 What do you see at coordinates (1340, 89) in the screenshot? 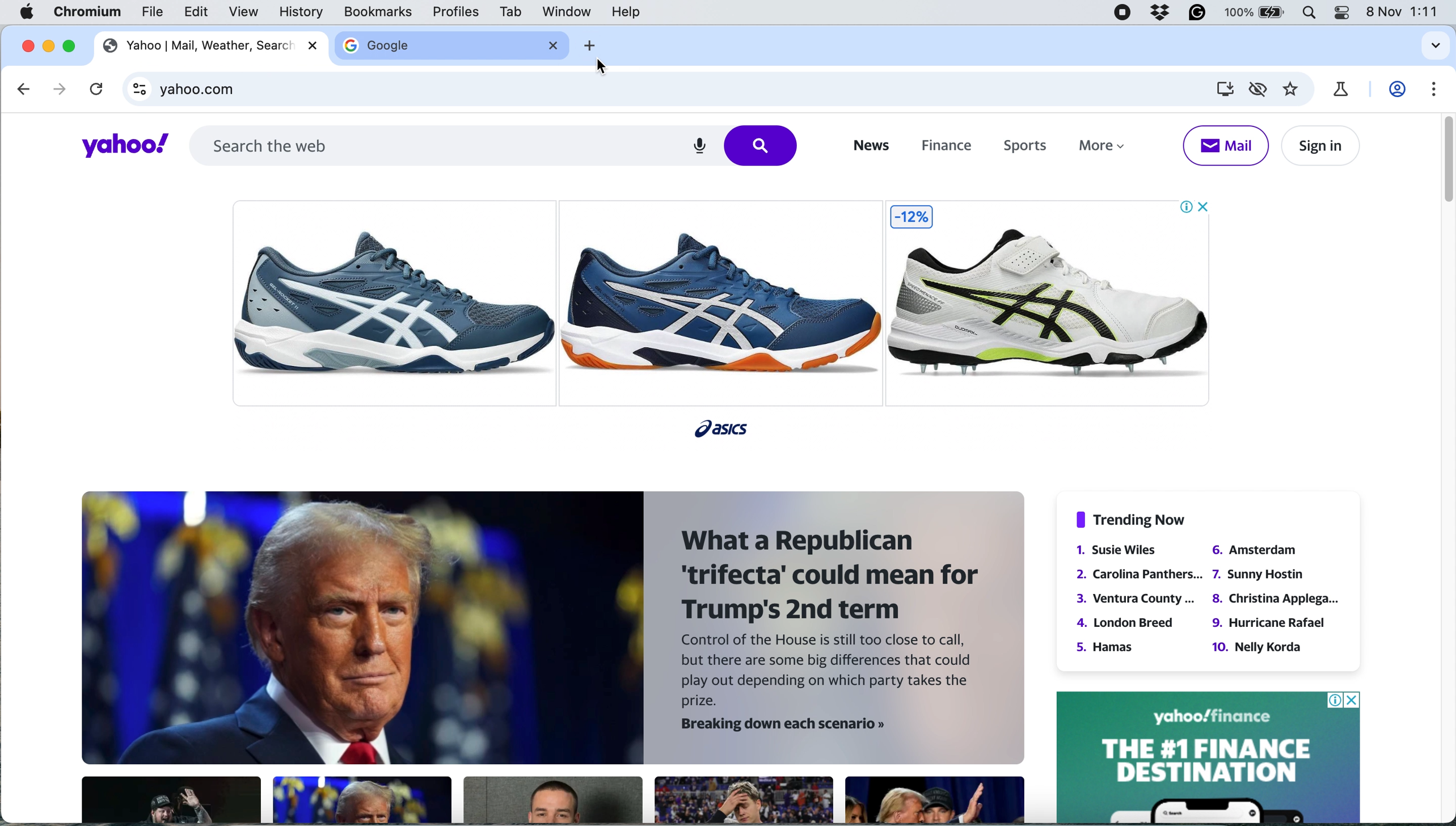
I see `chrome labs` at bounding box center [1340, 89].